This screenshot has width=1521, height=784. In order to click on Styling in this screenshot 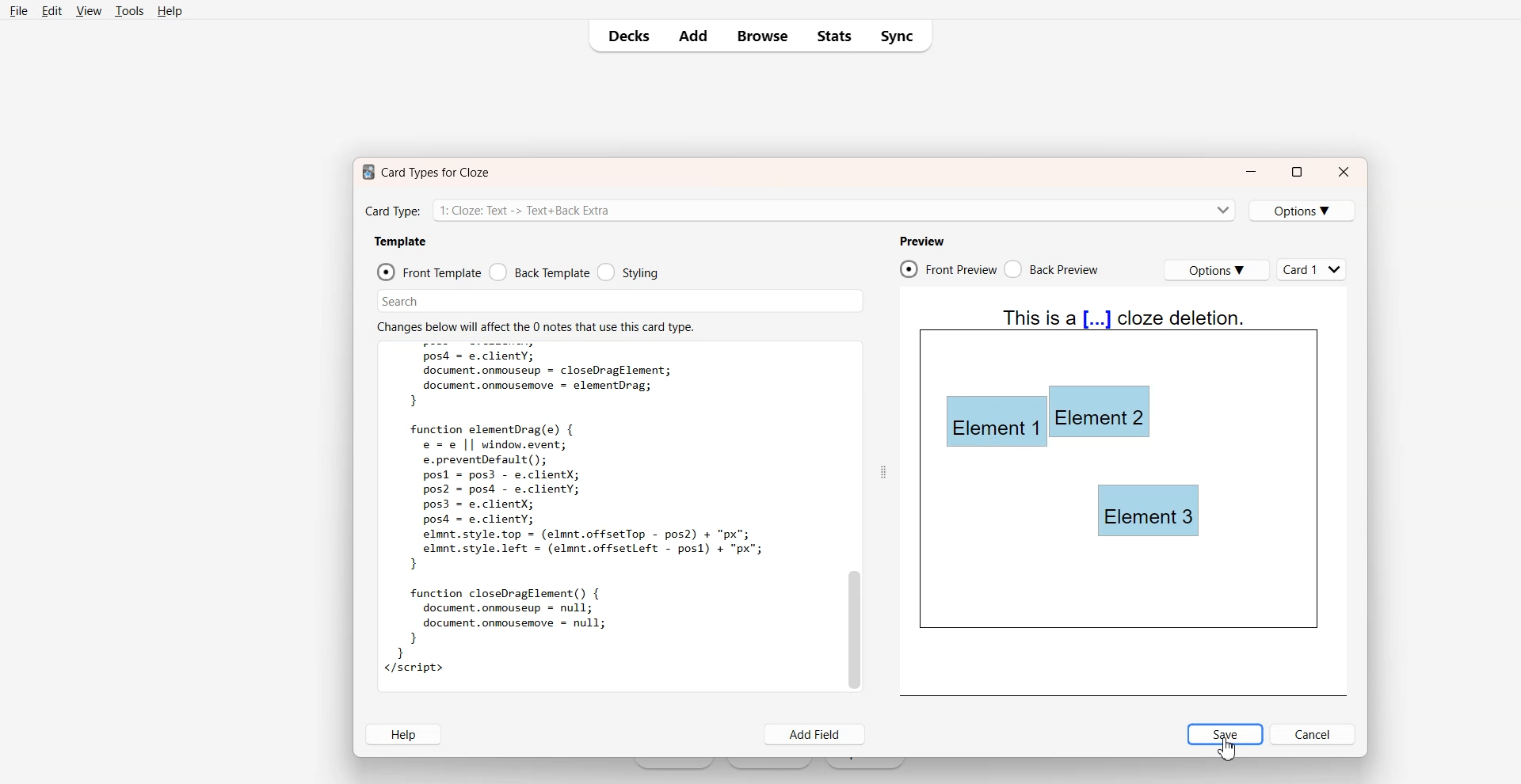, I will do `click(627, 272)`.